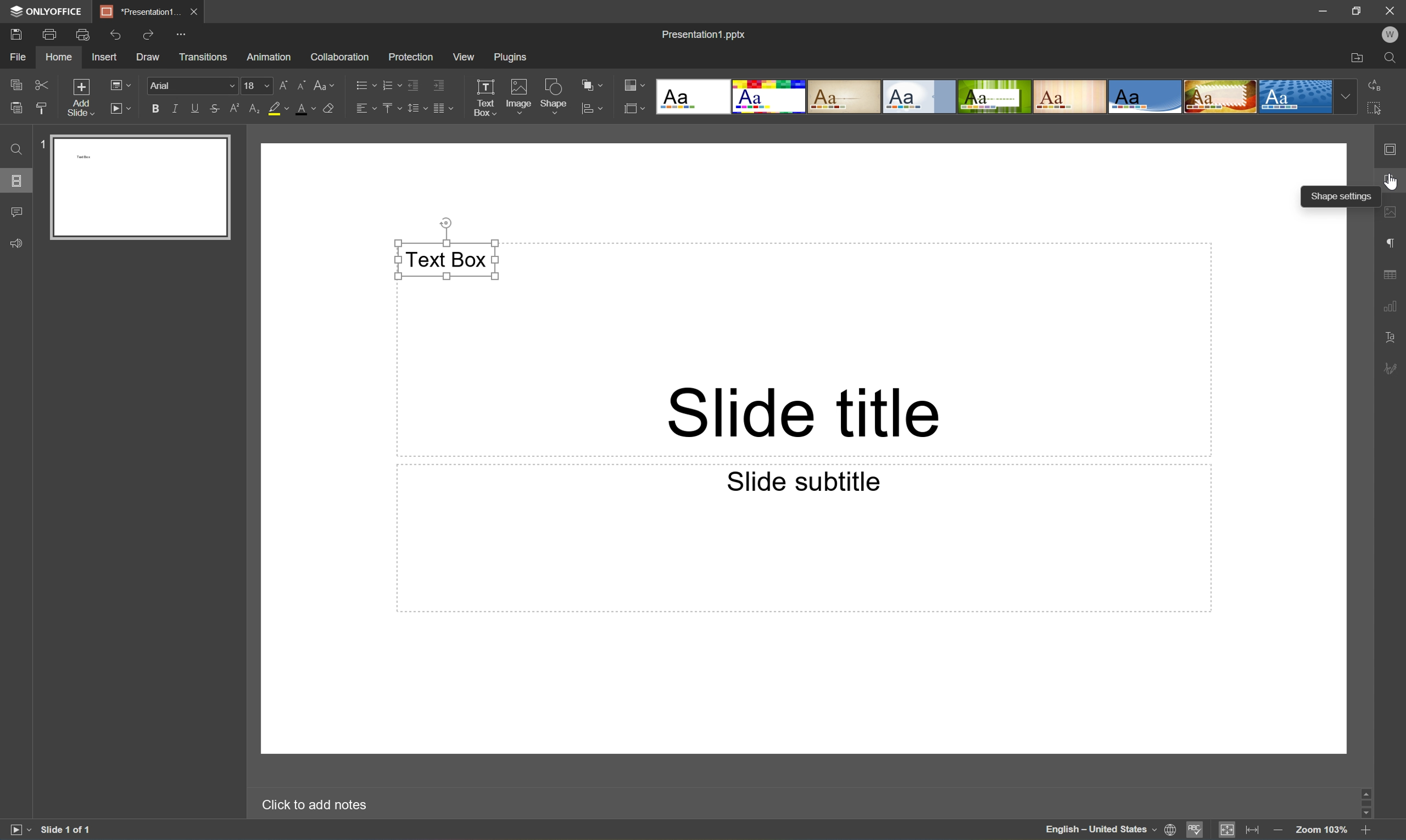 This screenshot has width=1406, height=840. What do you see at coordinates (324, 84) in the screenshot?
I see `Change case` at bounding box center [324, 84].